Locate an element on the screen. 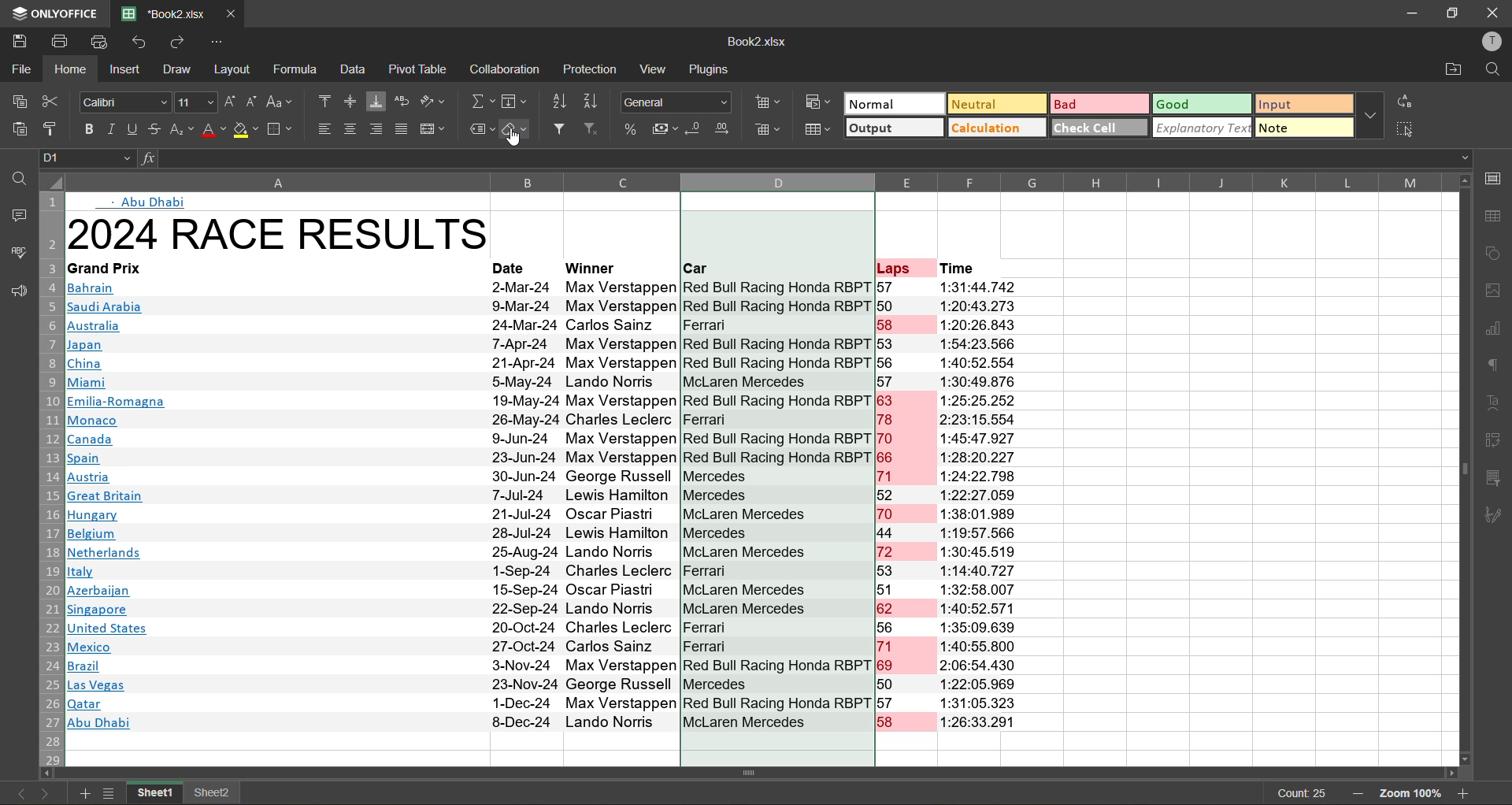 This screenshot has width=1512, height=805. open location is located at coordinates (1452, 71).